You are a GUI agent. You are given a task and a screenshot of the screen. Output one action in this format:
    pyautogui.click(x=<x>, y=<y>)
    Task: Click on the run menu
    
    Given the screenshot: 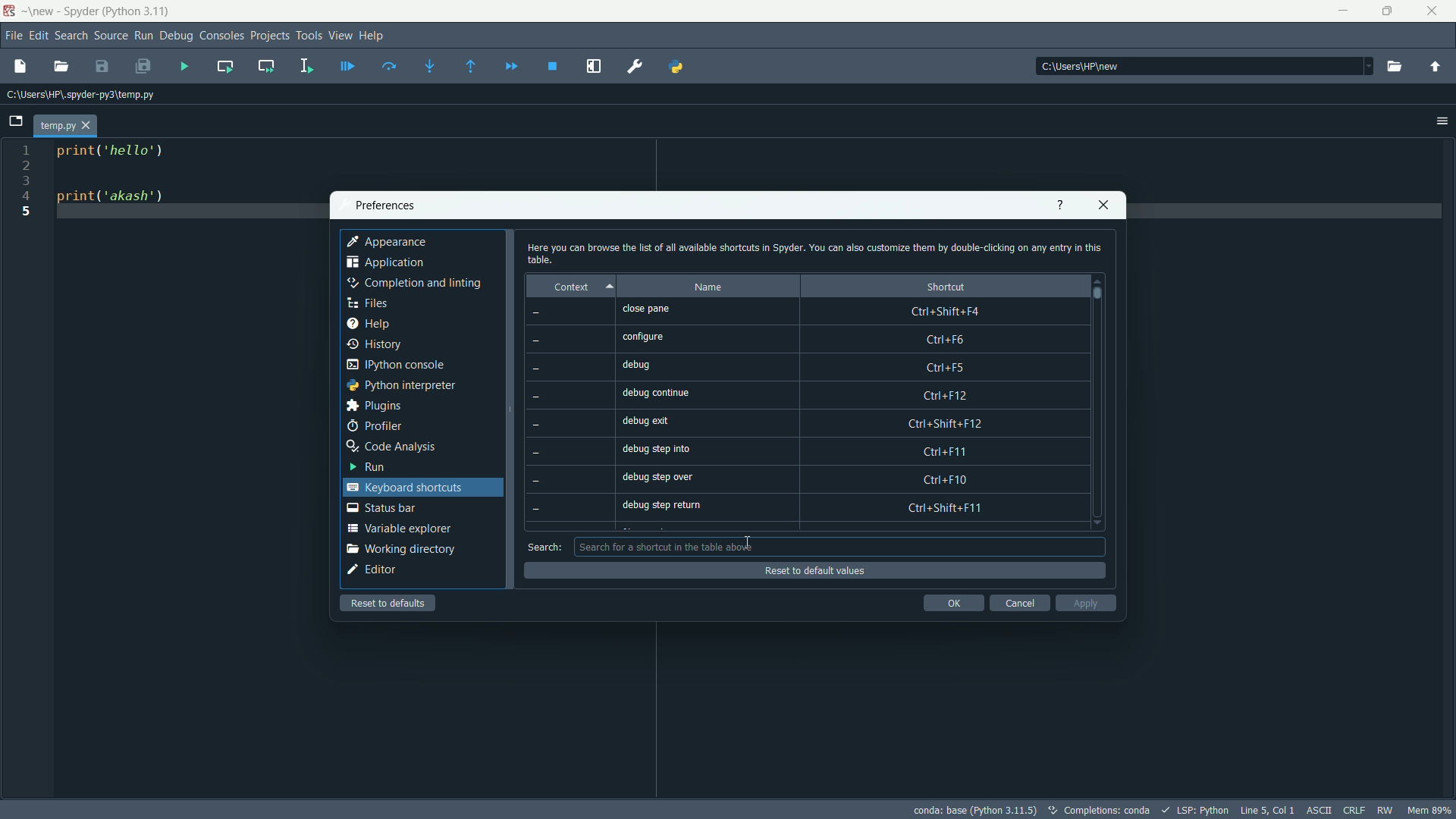 What is the action you would take?
    pyautogui.click(x=143, y=36)
    